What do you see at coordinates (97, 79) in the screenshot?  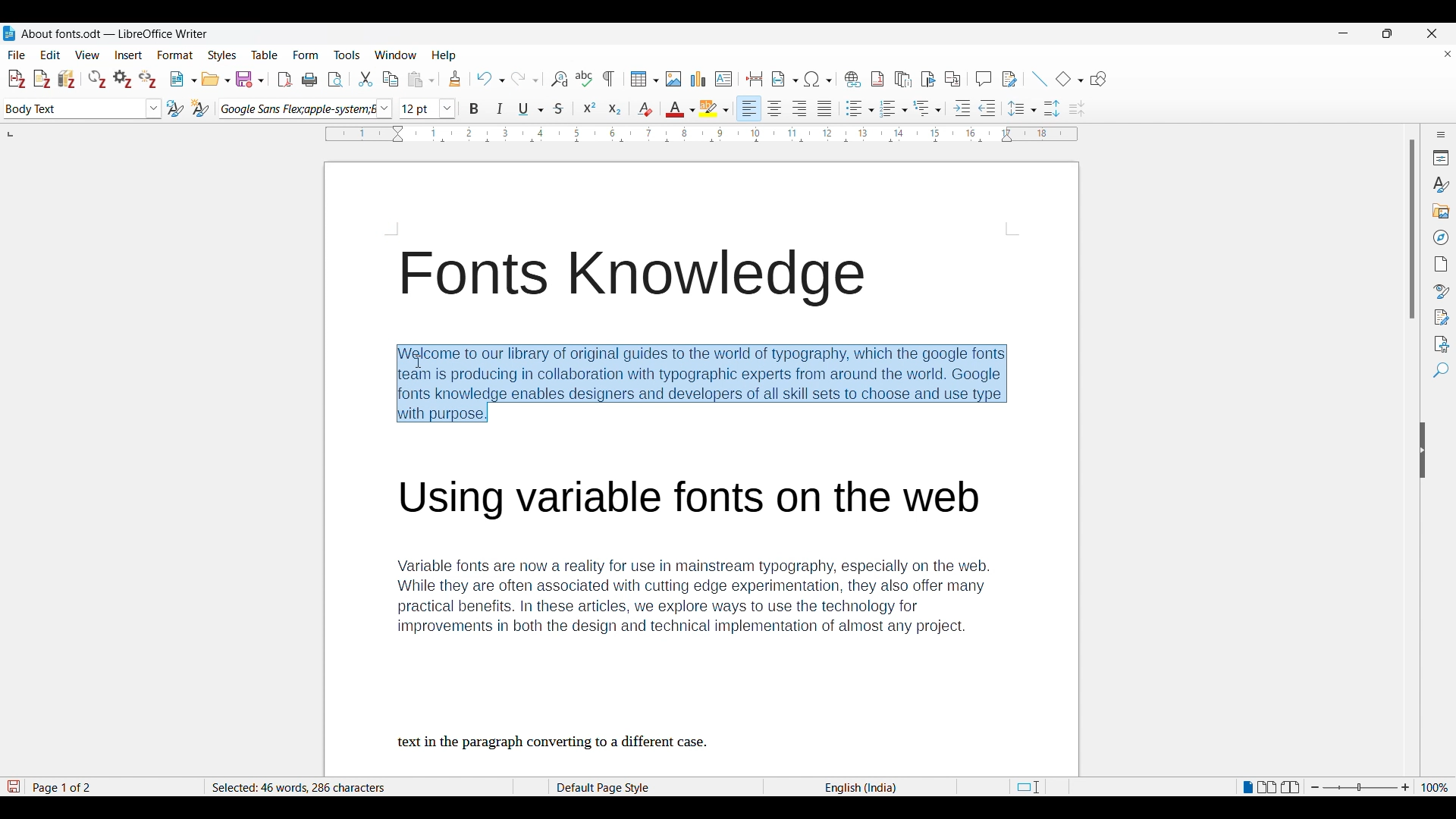 I see `Refresh ` at bounding box center [97, 79].